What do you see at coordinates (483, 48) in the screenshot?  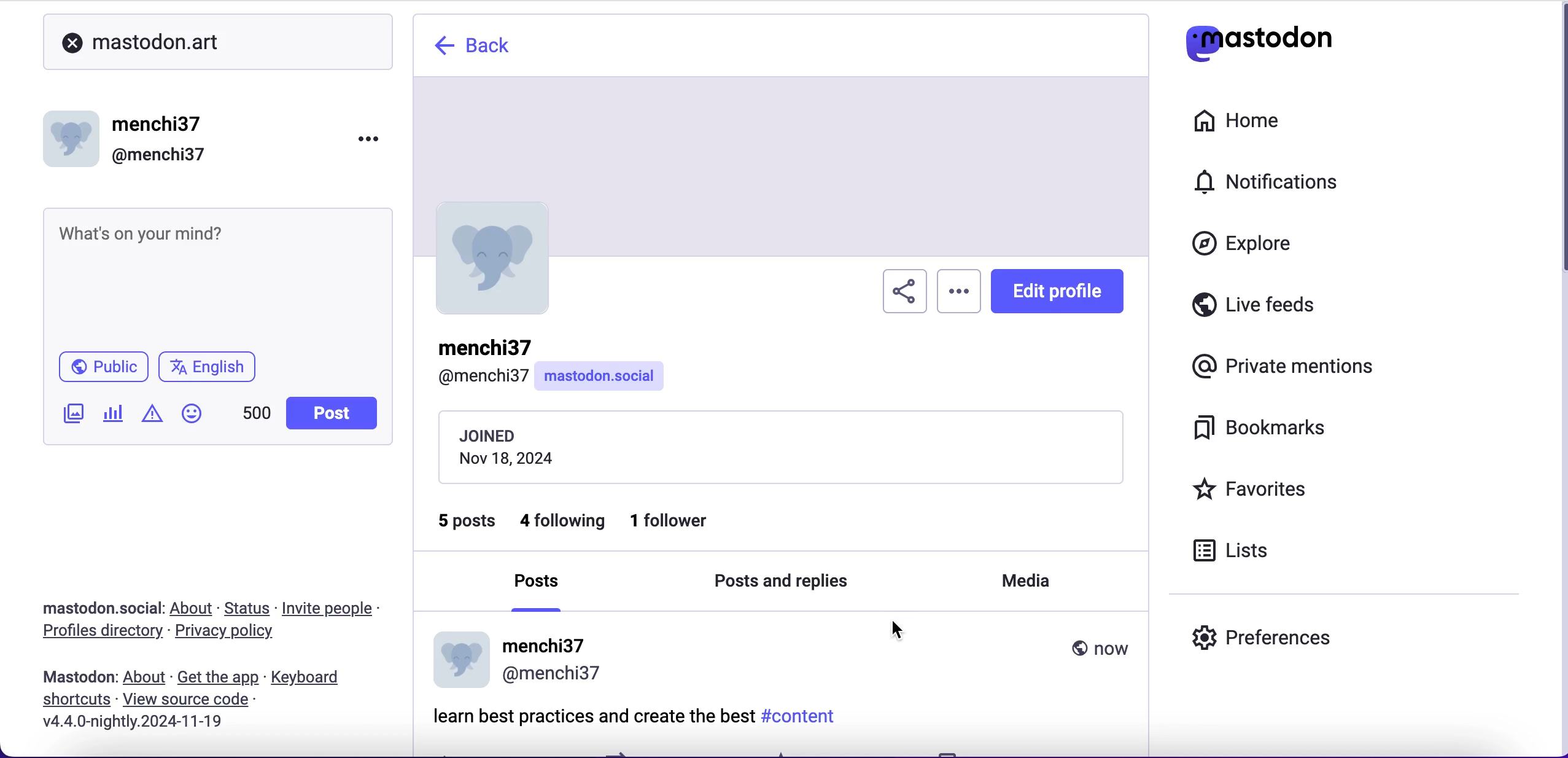 I see `back` at bounding box center [483, 48].